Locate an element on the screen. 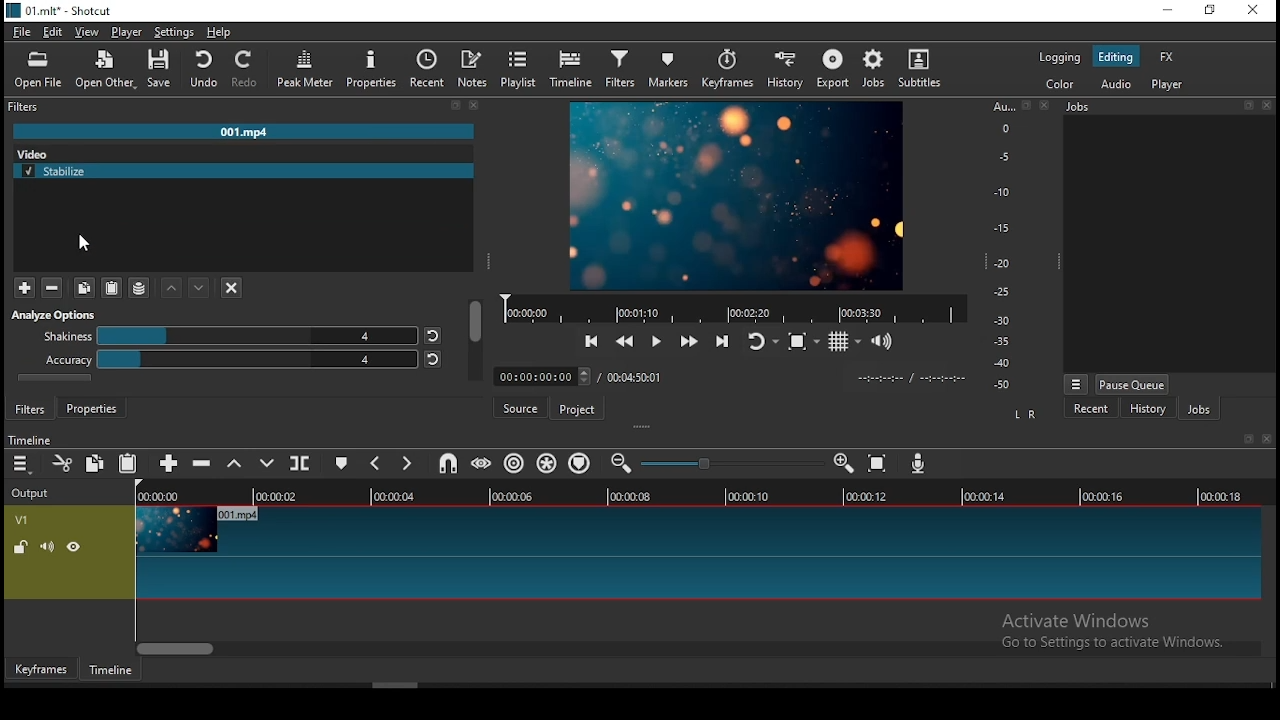 The width and height of the screenshot is (1280, 720). LR is located at coordinates (1025, 414).